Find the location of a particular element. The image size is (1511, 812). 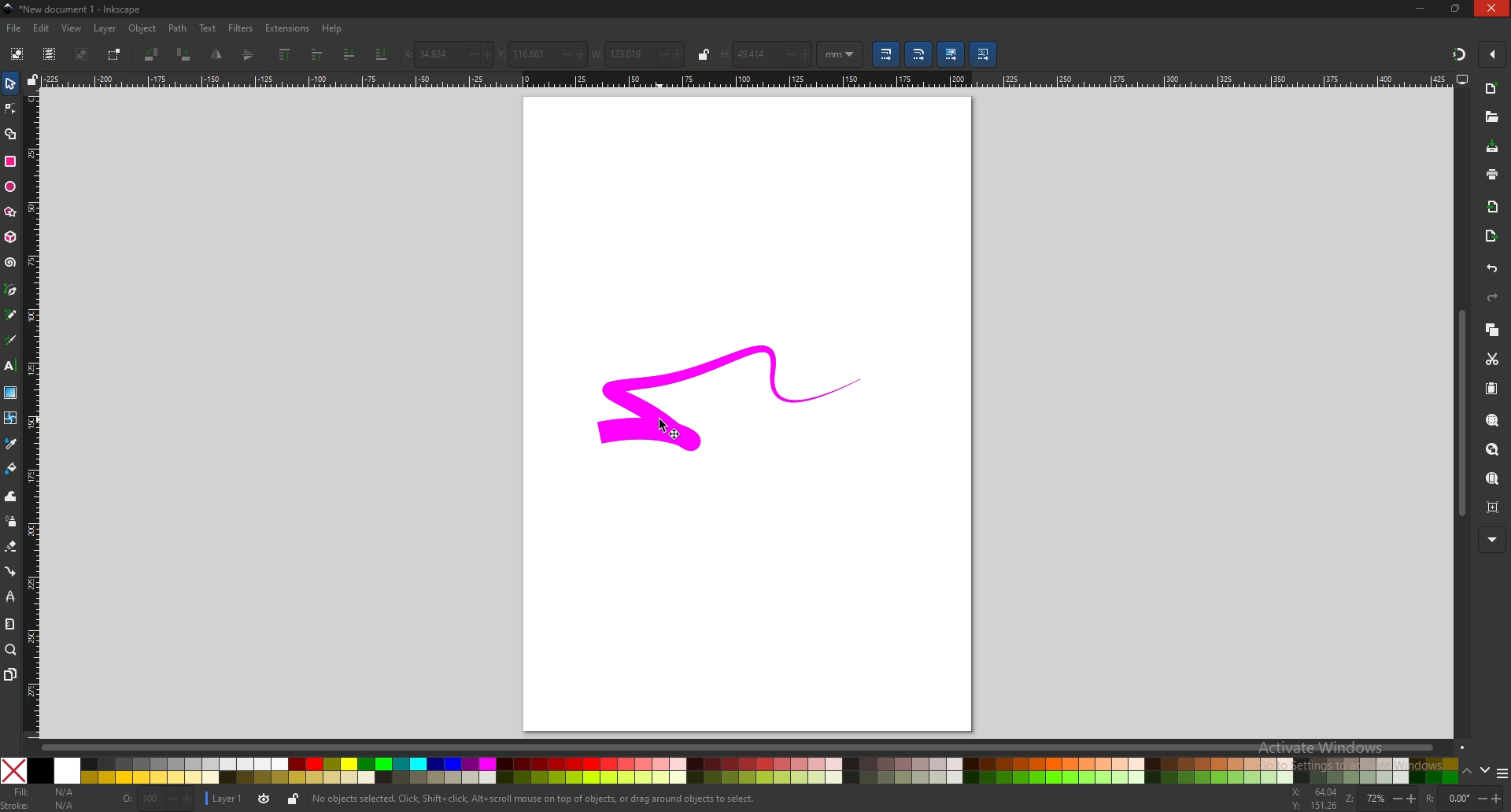

close is located at coordinates (1494, 9).